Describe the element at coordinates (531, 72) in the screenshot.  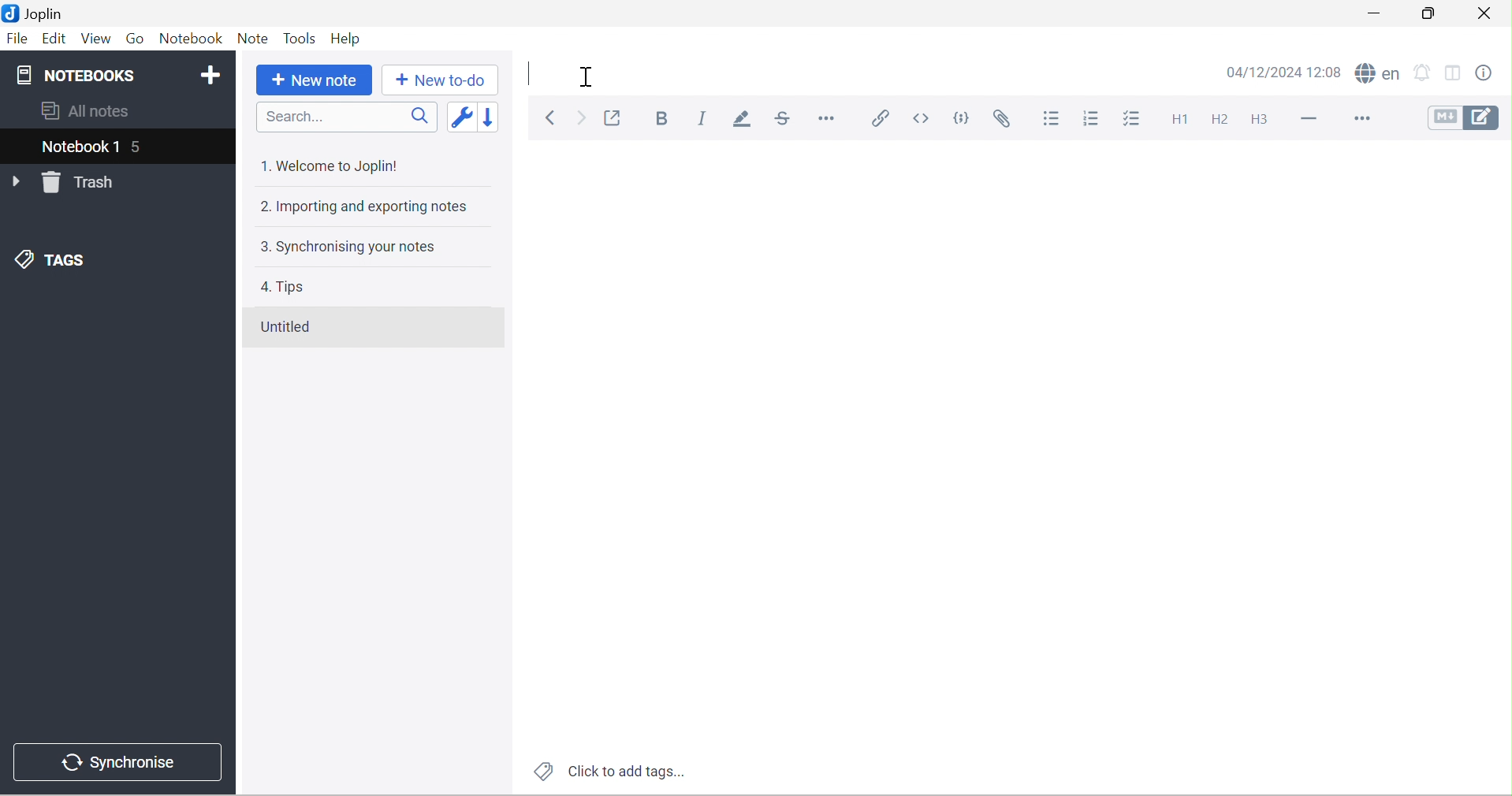
I see `Typing` at that location.